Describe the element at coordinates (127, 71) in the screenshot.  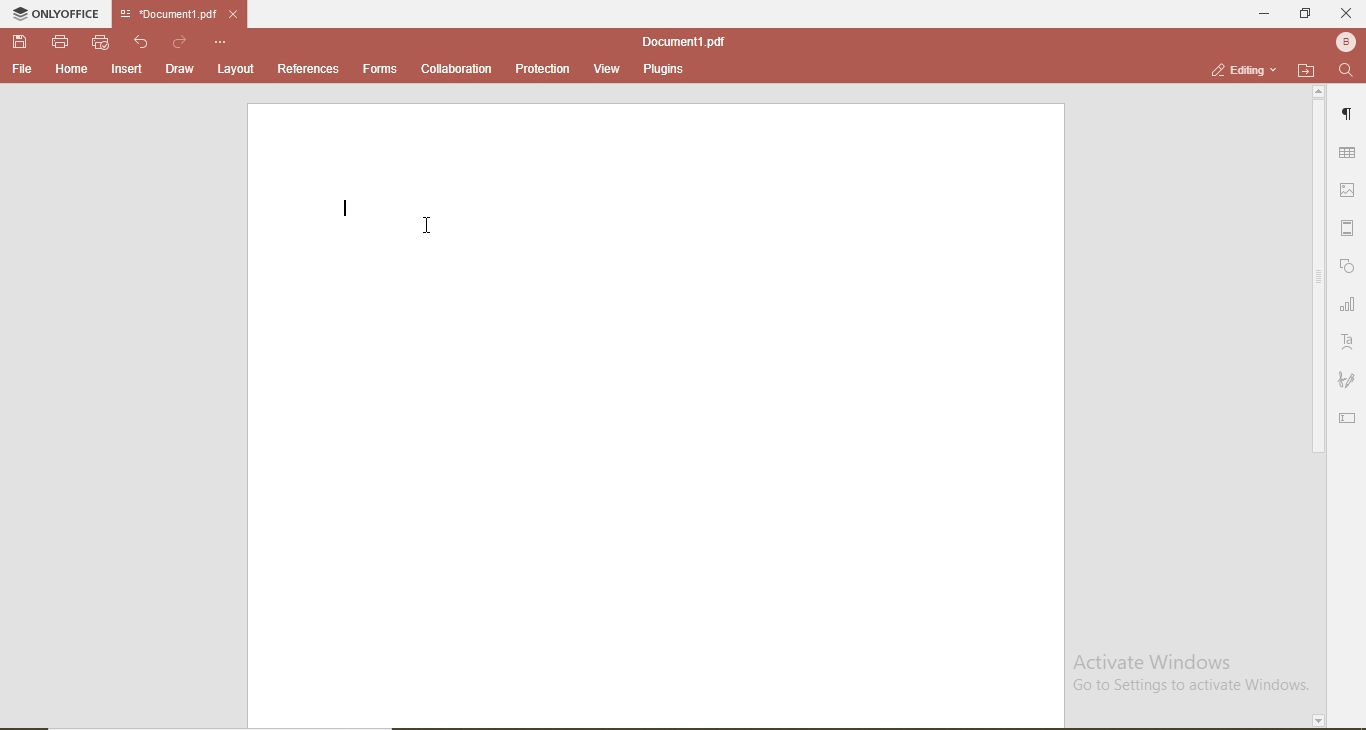
I see `insert` at that location.